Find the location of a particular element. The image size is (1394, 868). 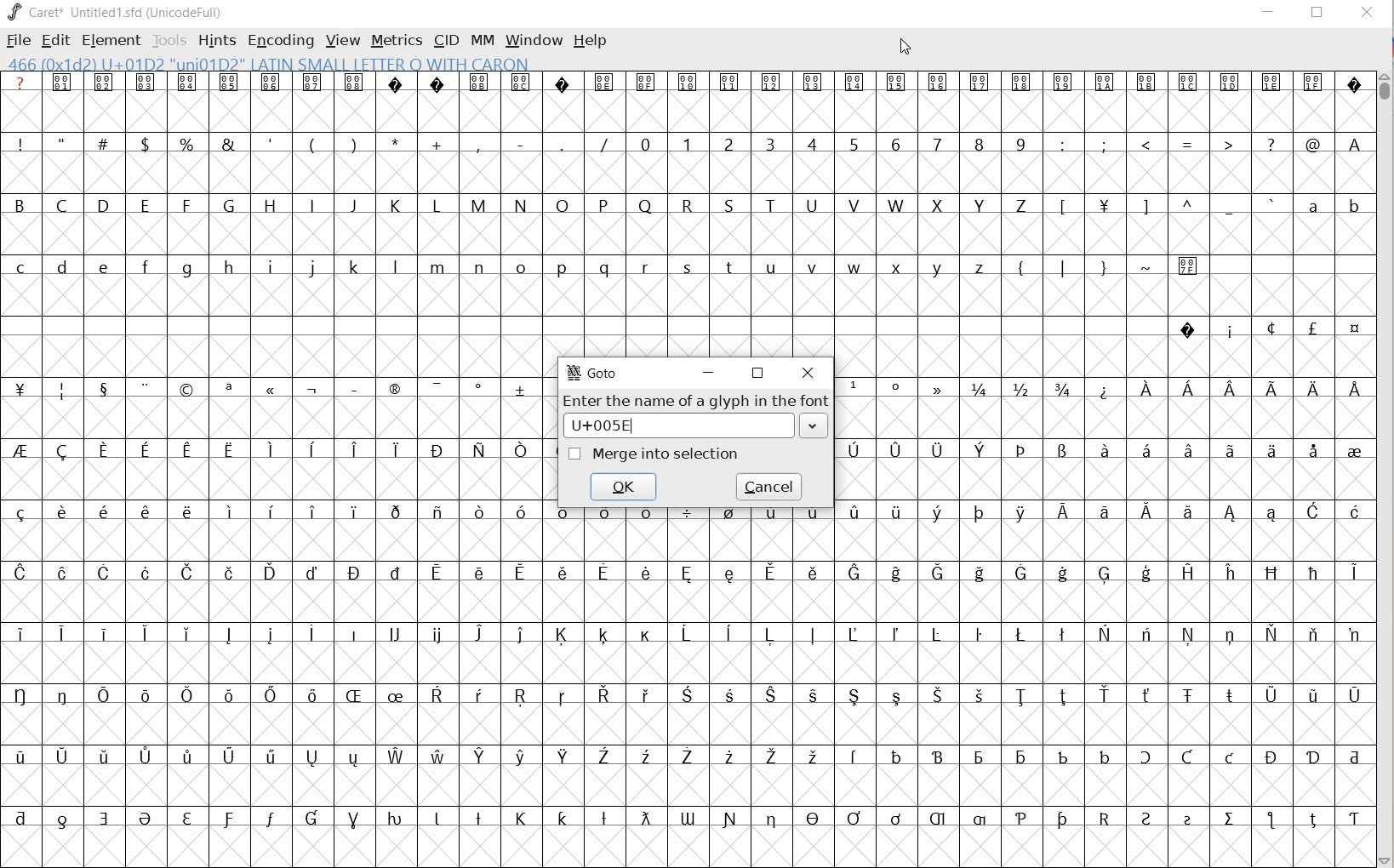

ENTER THE NAME OF A GLYPH IN THE FONT is located at coordinates (698, 401).